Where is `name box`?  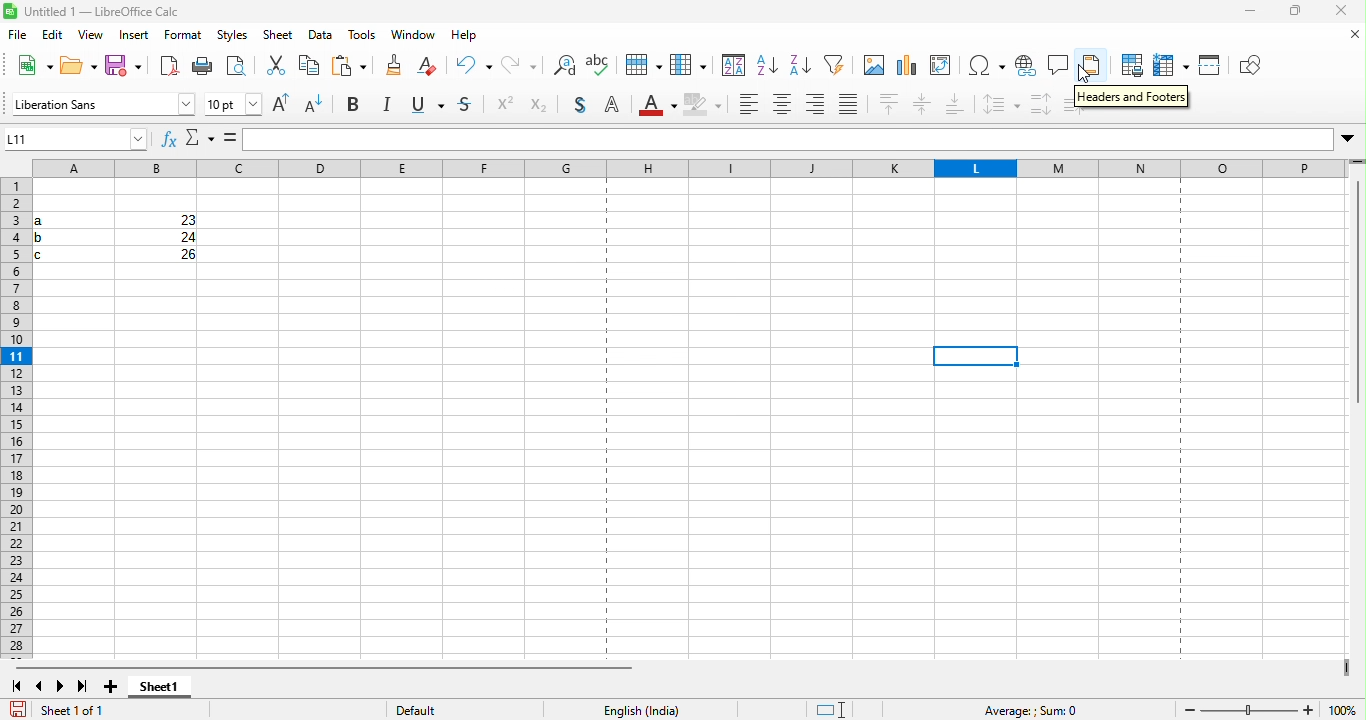
name box is located at coordinates (78, 140).